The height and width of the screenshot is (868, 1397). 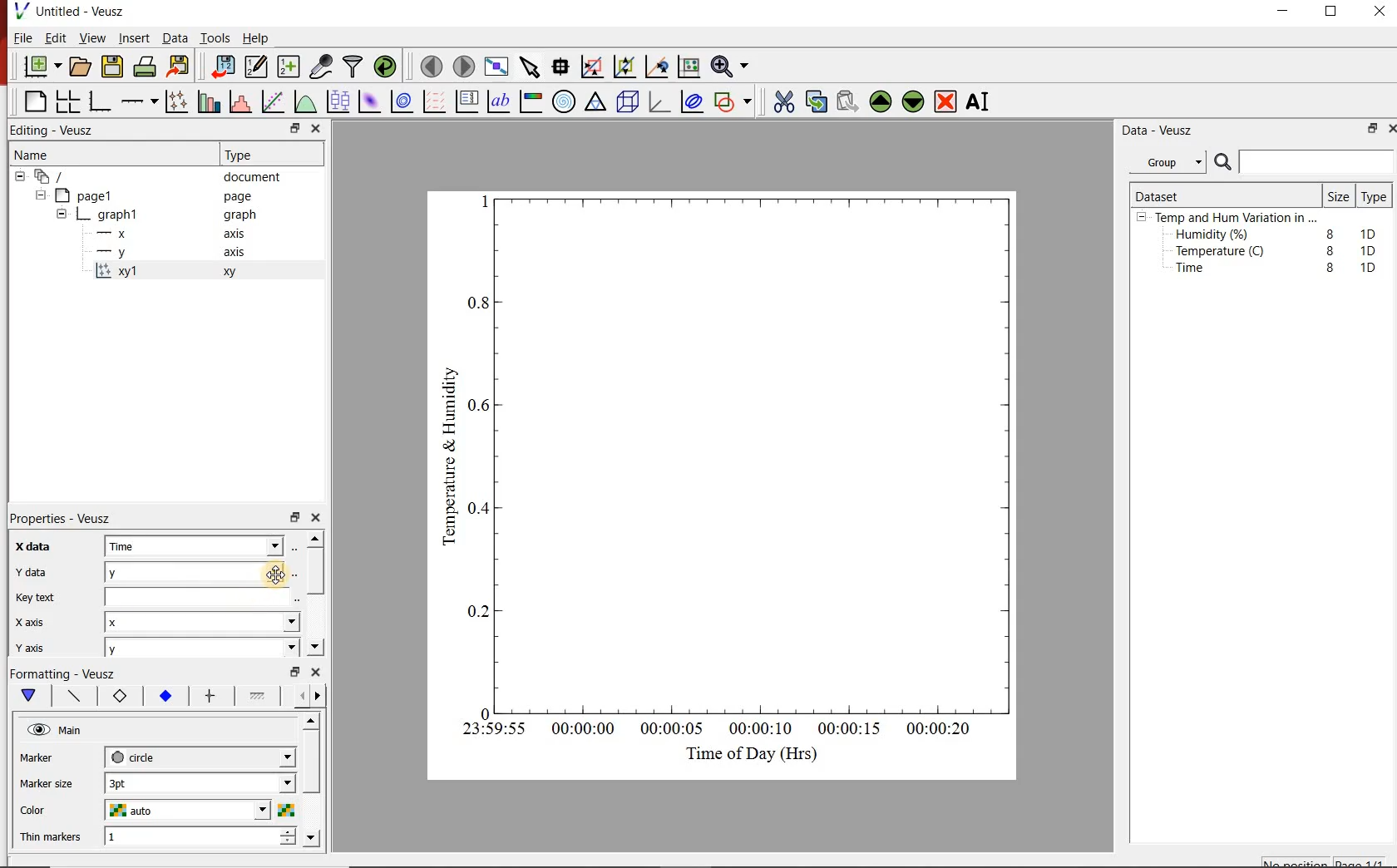 I want to click on Humidity (%), so click(x=1216, y=235).